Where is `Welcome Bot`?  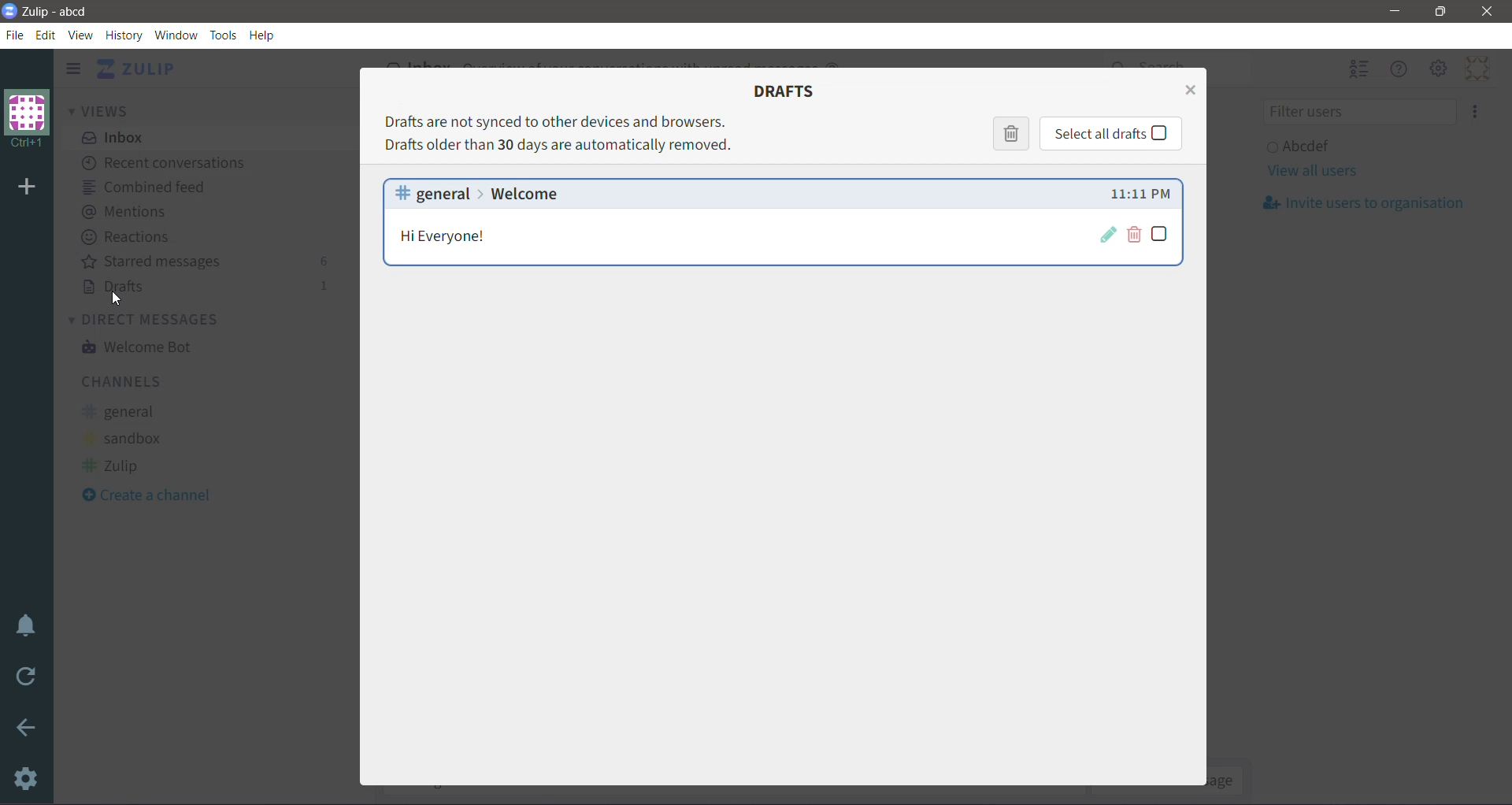 Welcome Bot is located at coordinates (141, 348).